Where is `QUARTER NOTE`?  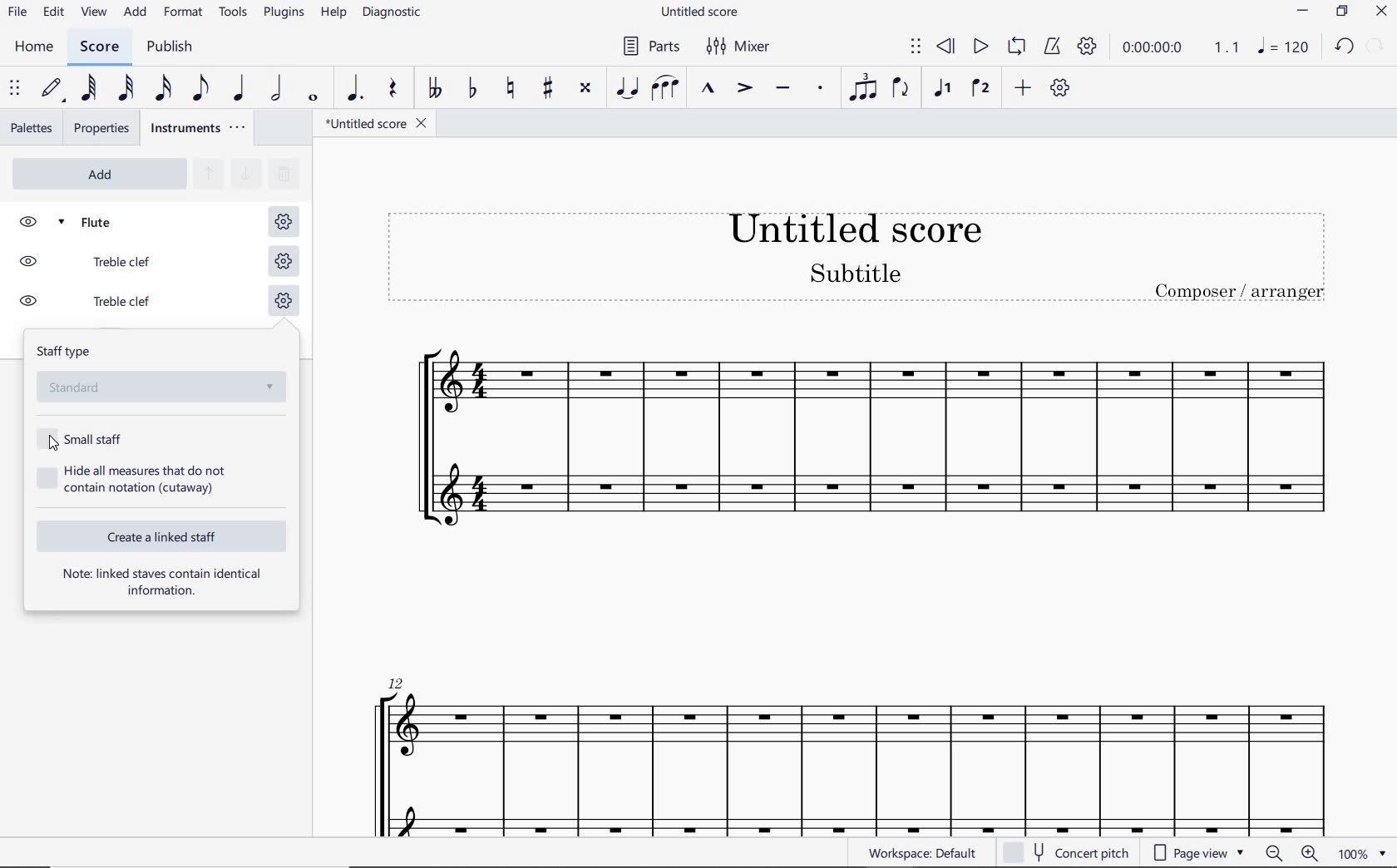
QUARTER NOTE is located at coordinates (239, 89).